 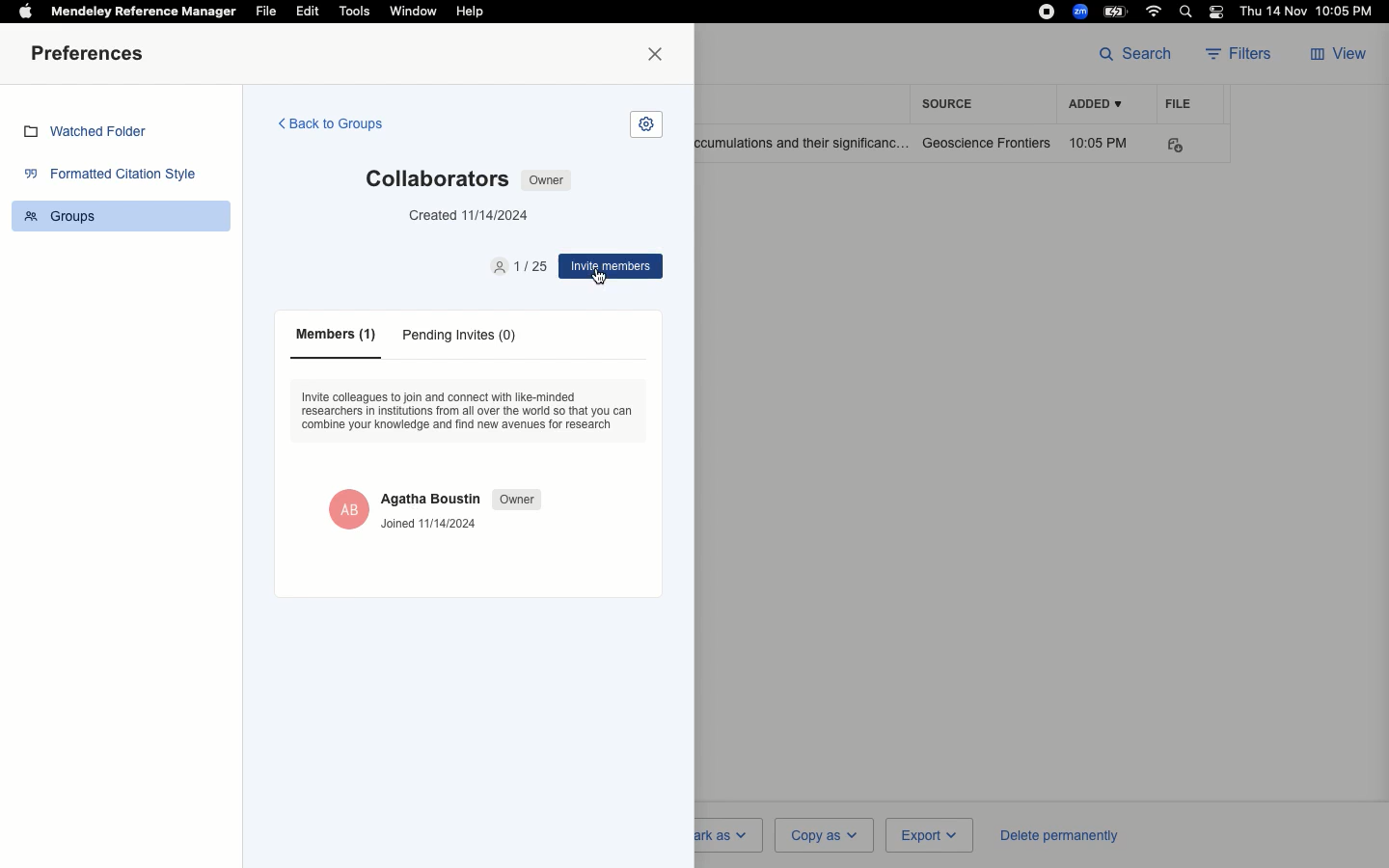 What do you see at coordinates (953, 103) in the screenshot?
I see `Source` at bounding box center [953, 103].